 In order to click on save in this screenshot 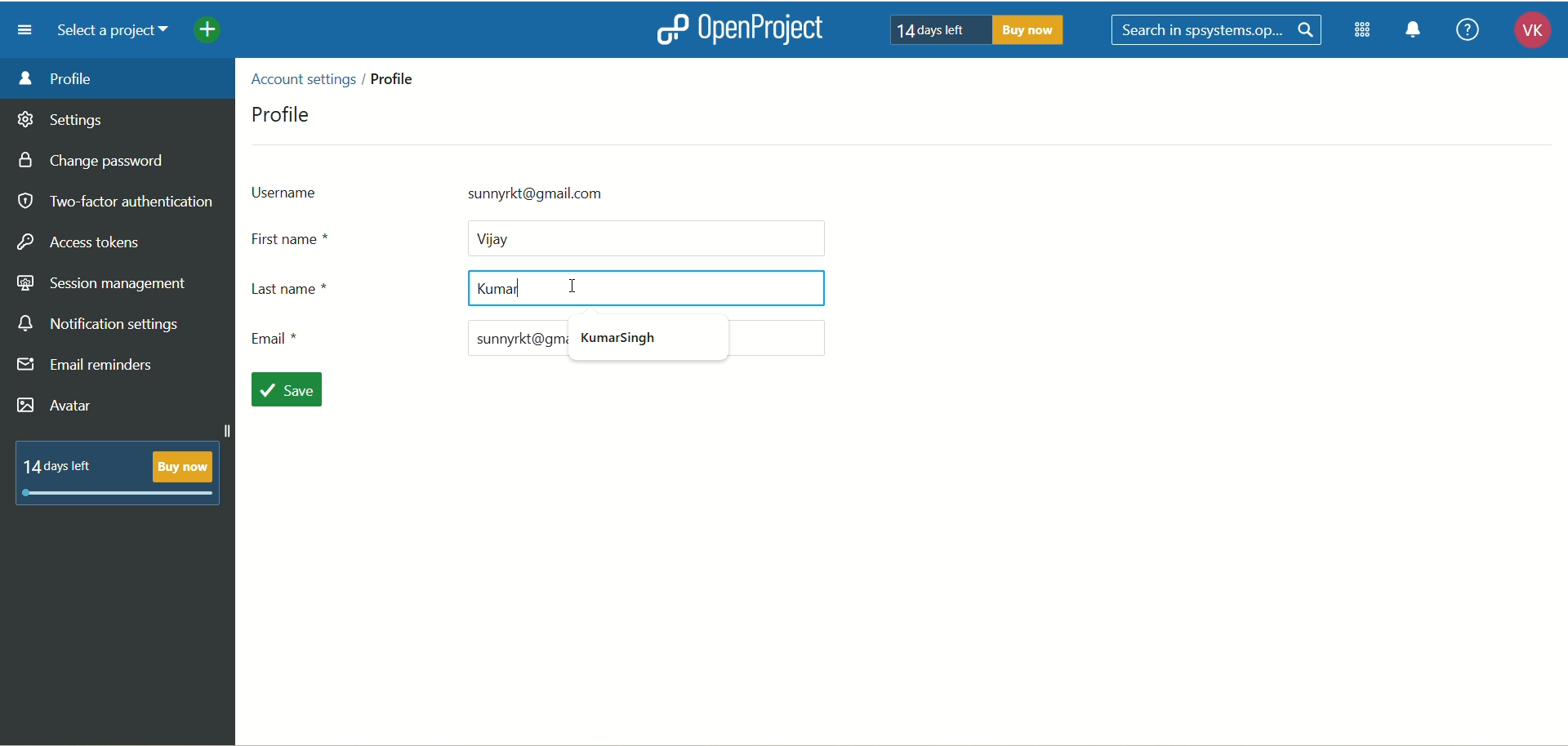, I will do `click(292, 391)`.